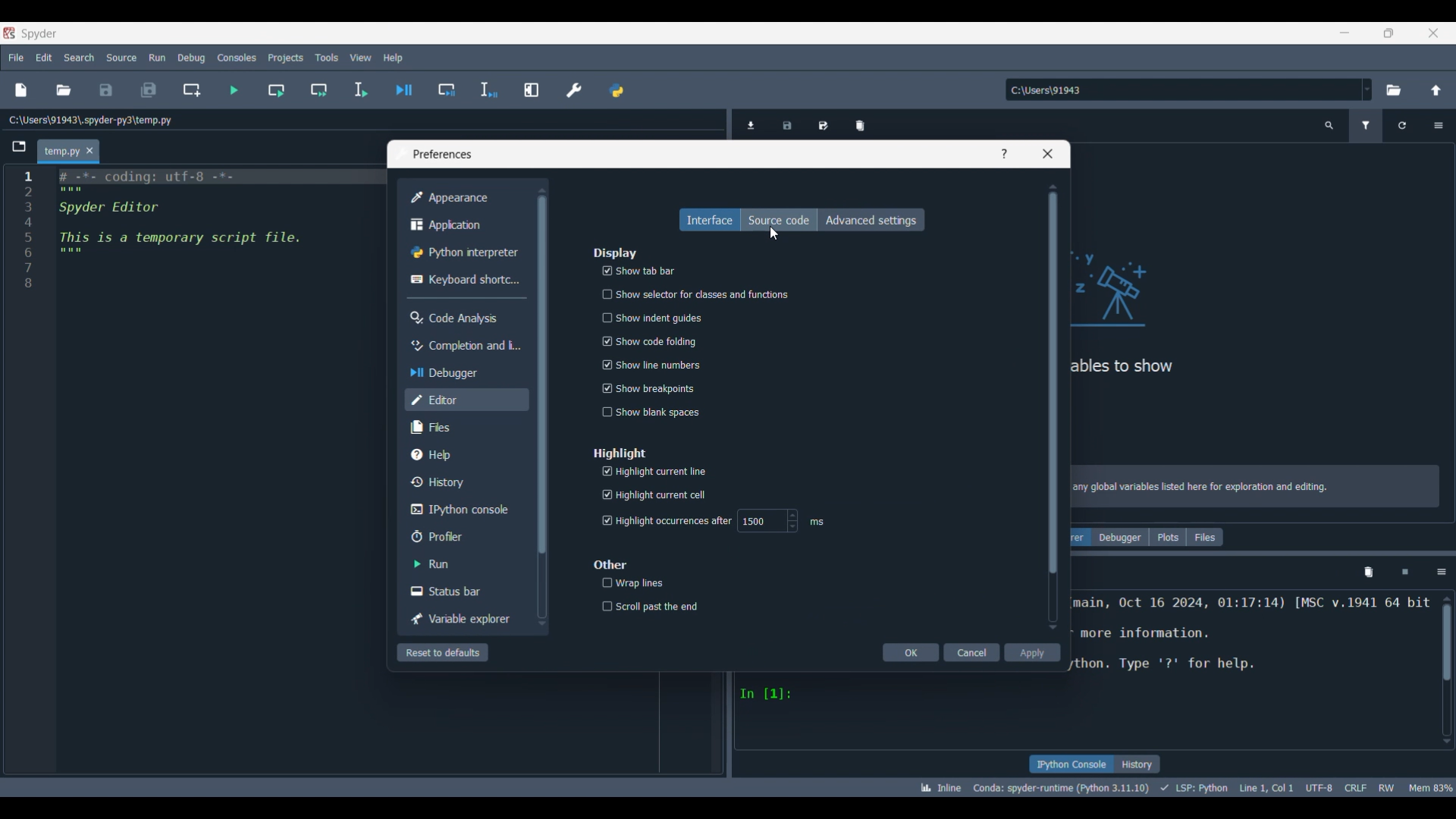 The height and width of the screenshot is (819, 1456). Describe the element at coordinates (393, 58) in the screenshot. I see `Help menu` at that location.